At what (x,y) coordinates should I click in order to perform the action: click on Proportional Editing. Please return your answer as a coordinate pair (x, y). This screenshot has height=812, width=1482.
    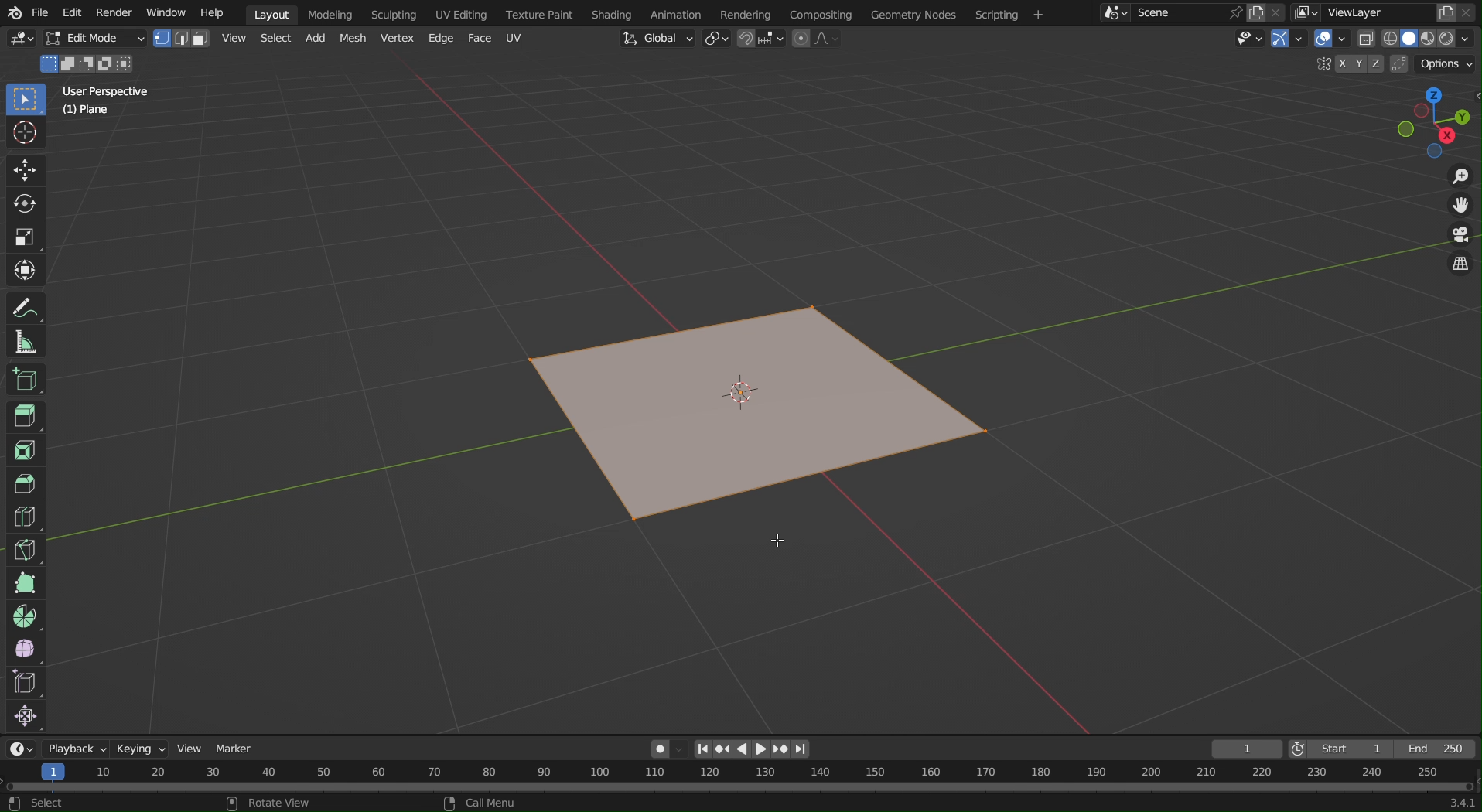
    Looking at the image, I should click on (814, 40).